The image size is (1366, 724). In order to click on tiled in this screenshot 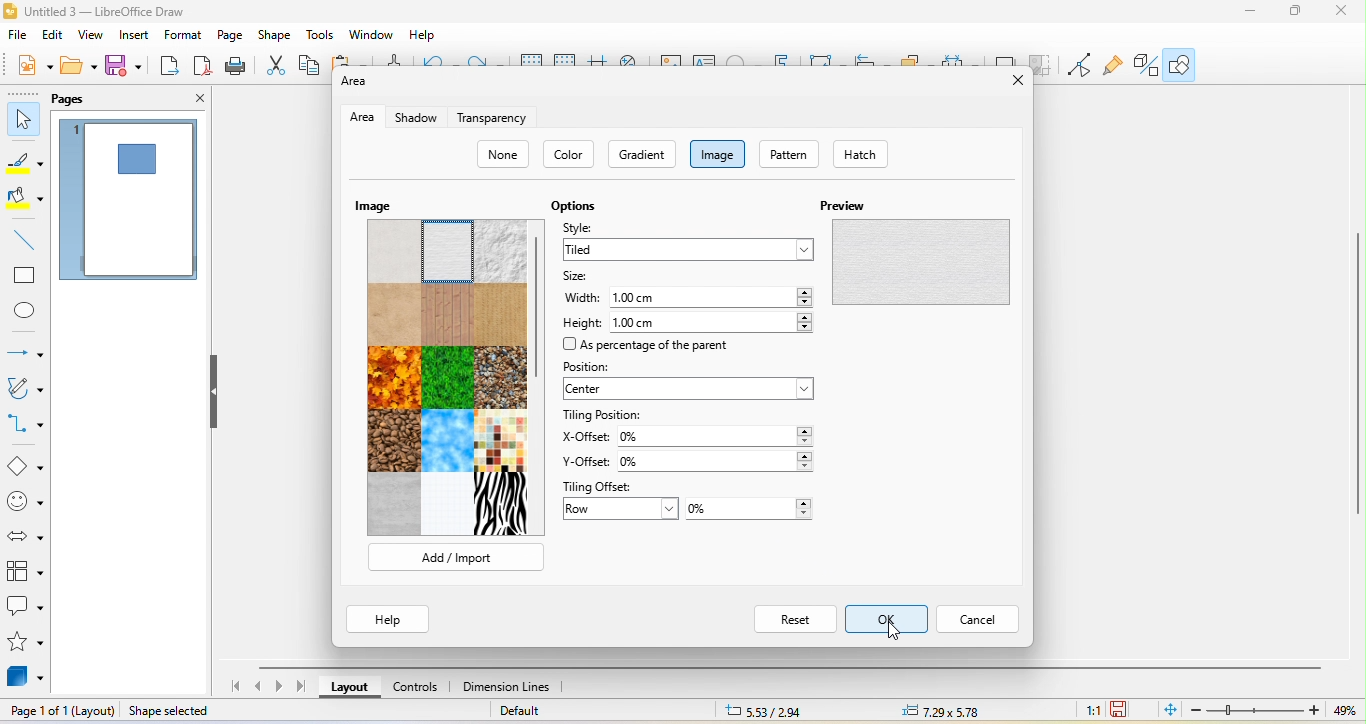, I will do `click(688, 249)`.